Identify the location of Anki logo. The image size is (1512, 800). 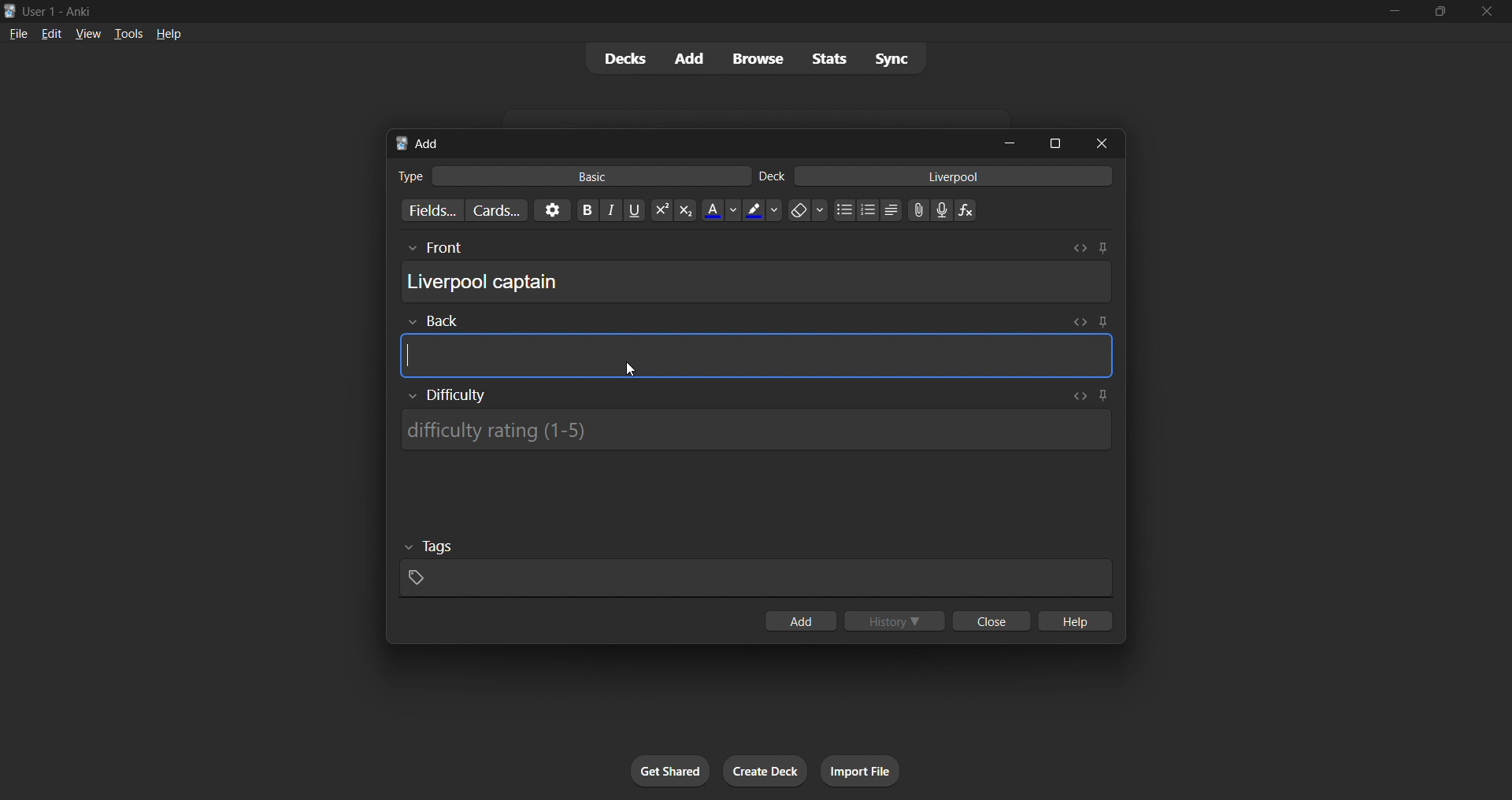
(402, 143).